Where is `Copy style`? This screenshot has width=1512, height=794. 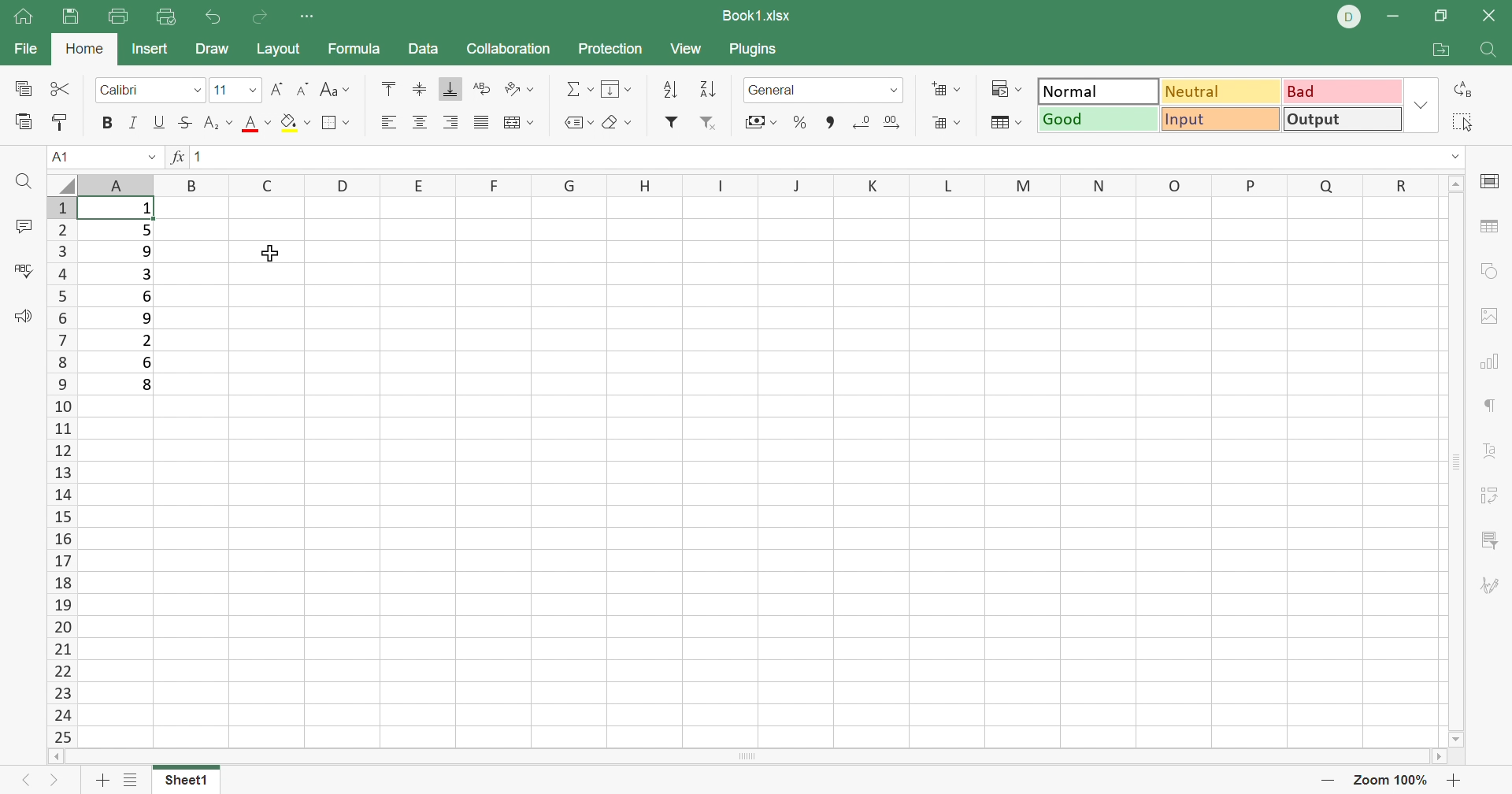 Copy style is located at coordinates (59, 121).